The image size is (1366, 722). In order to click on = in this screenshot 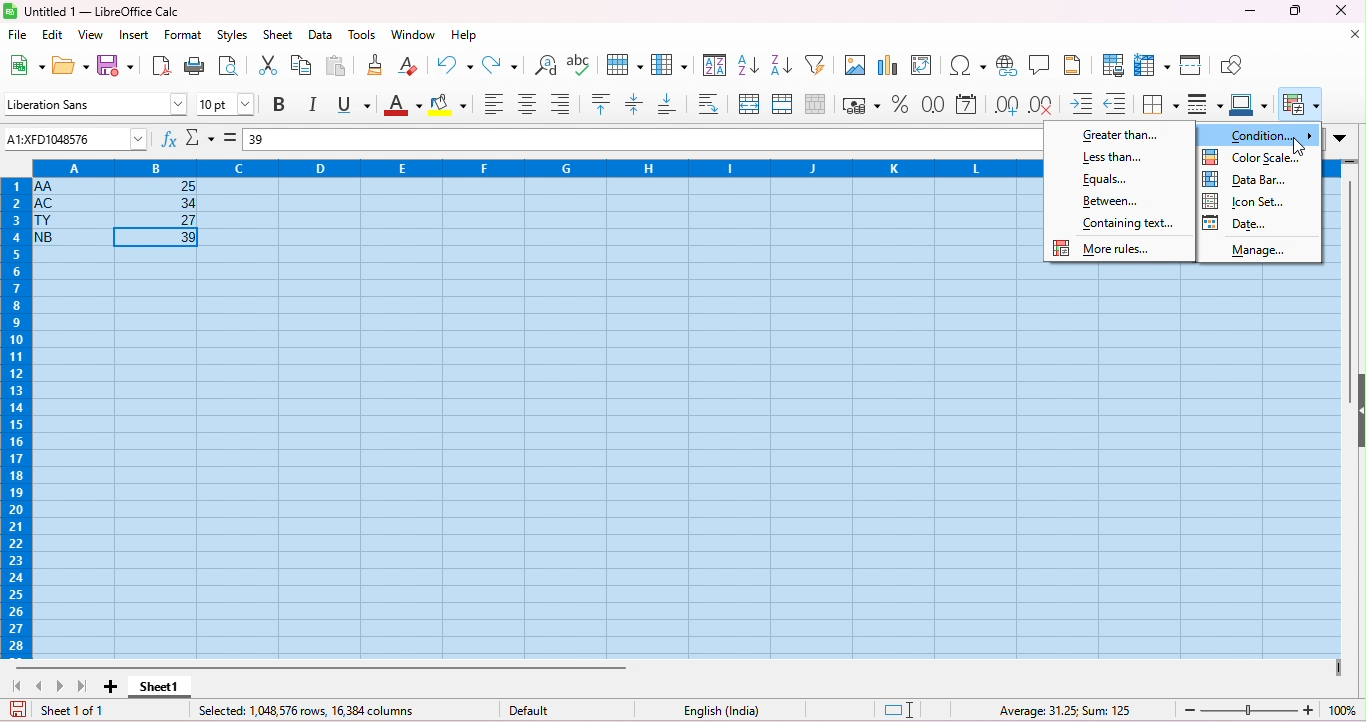, I will do `click(231, 138)`.